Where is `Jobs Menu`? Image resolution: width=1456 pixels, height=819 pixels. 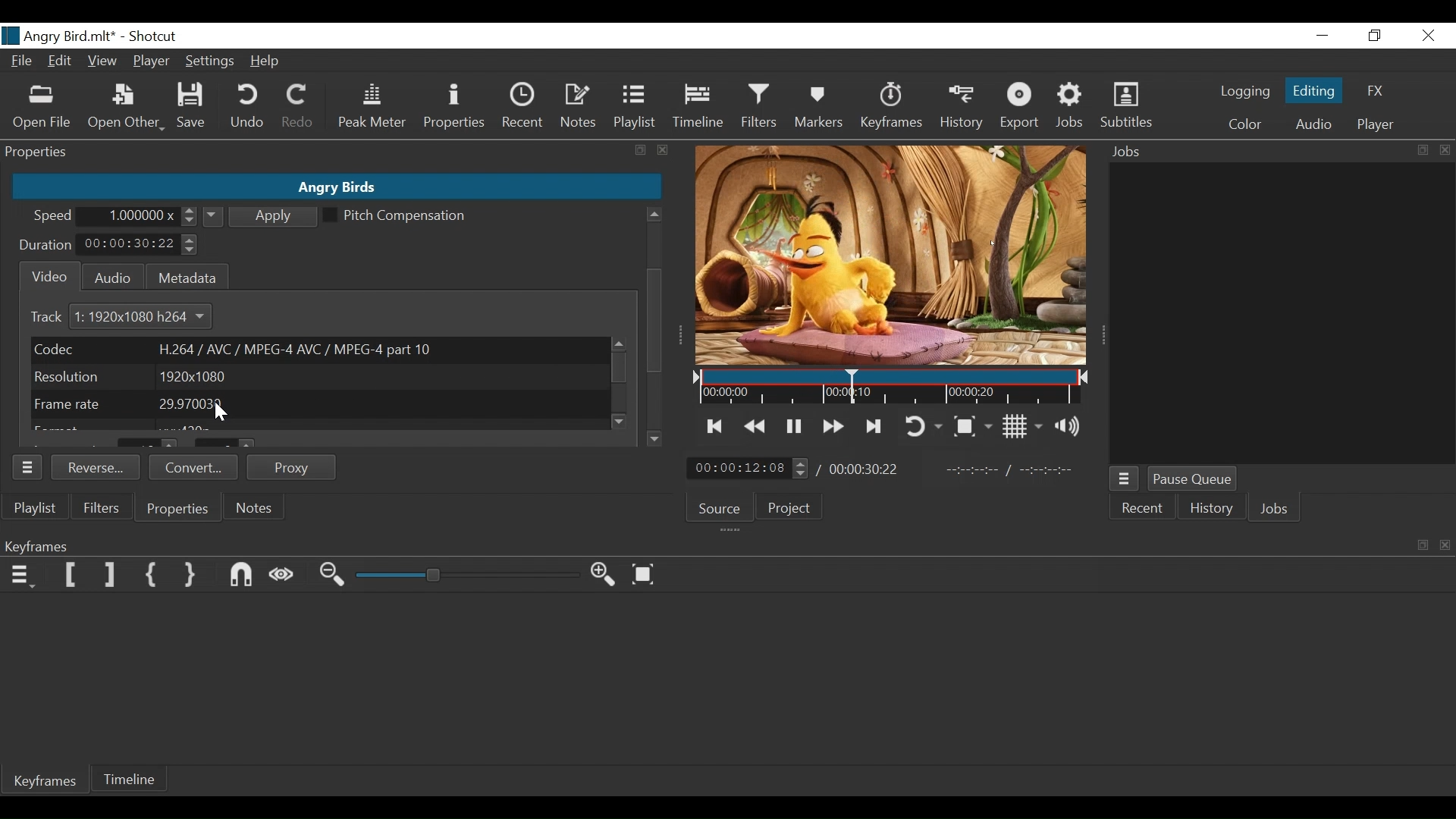
Jobs Menu is located at coordinates (1125, 481).